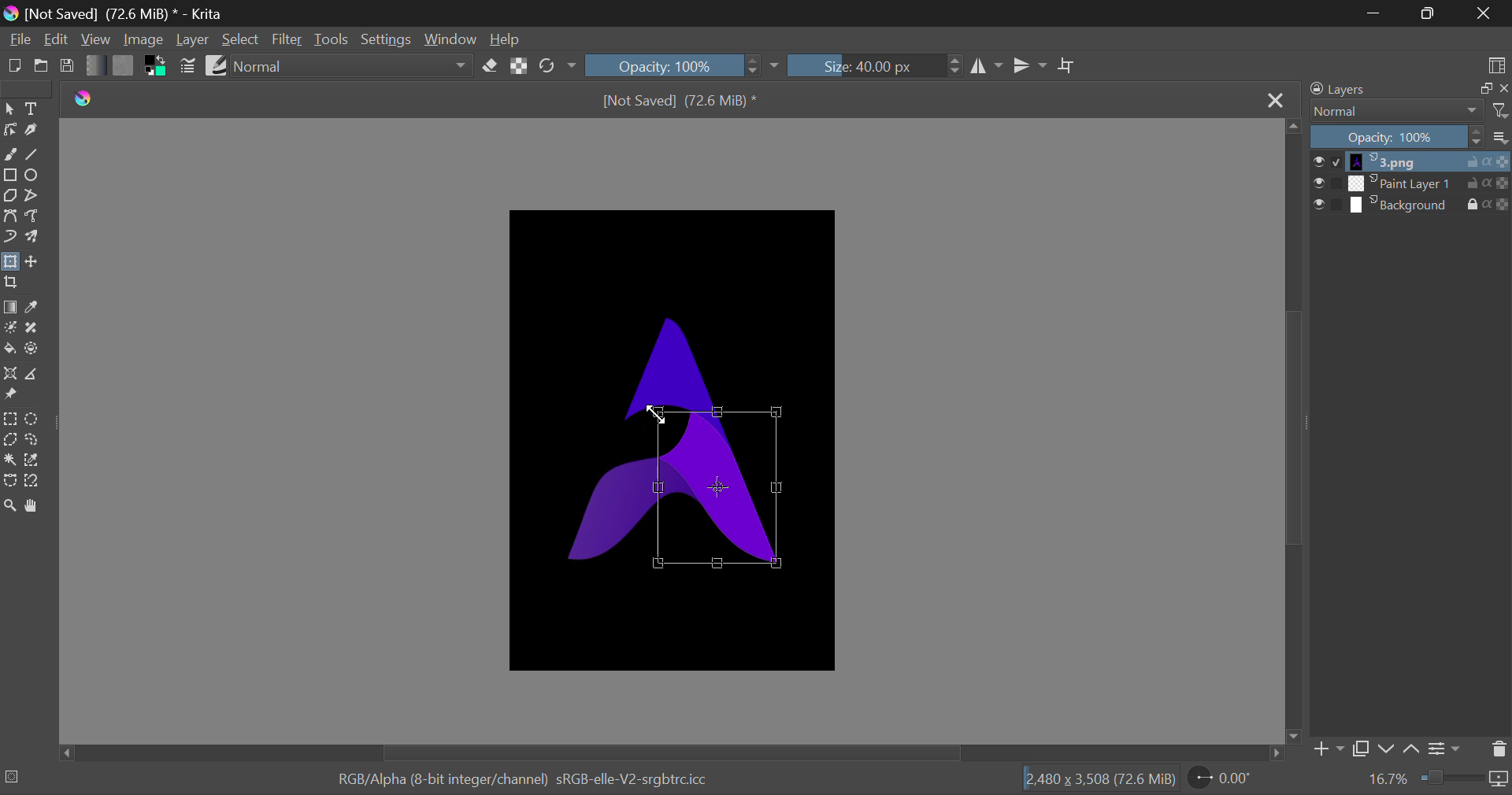  What do you see at coordinates (1499, 778) in the screenshot?
I see `icon` at bounding box center [1499, 778].